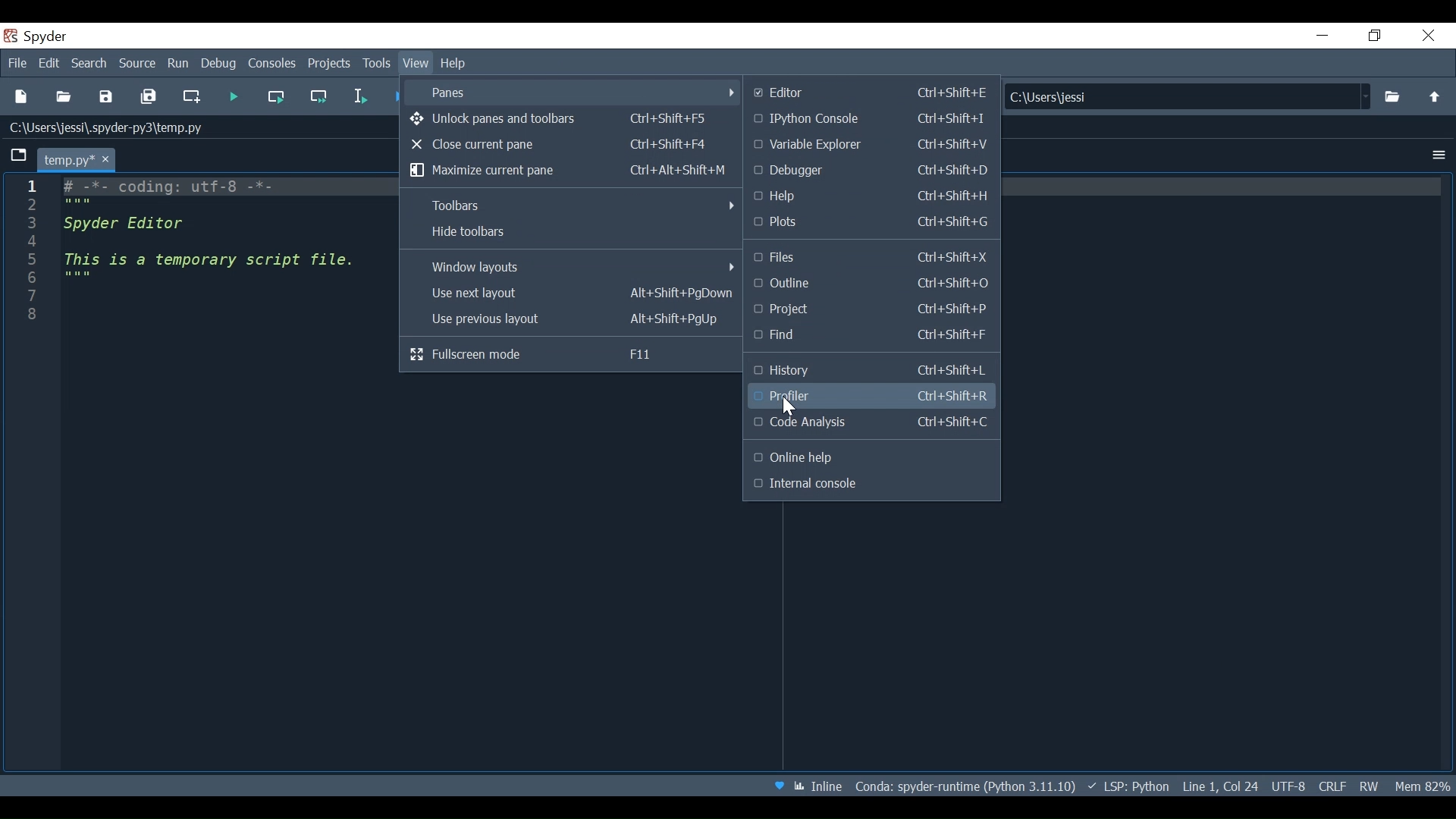  What do you see at coordinates (562, 118) in the screenshot?
I see `Unlock Panes and Toolbars` at bounding box center [562, 118].